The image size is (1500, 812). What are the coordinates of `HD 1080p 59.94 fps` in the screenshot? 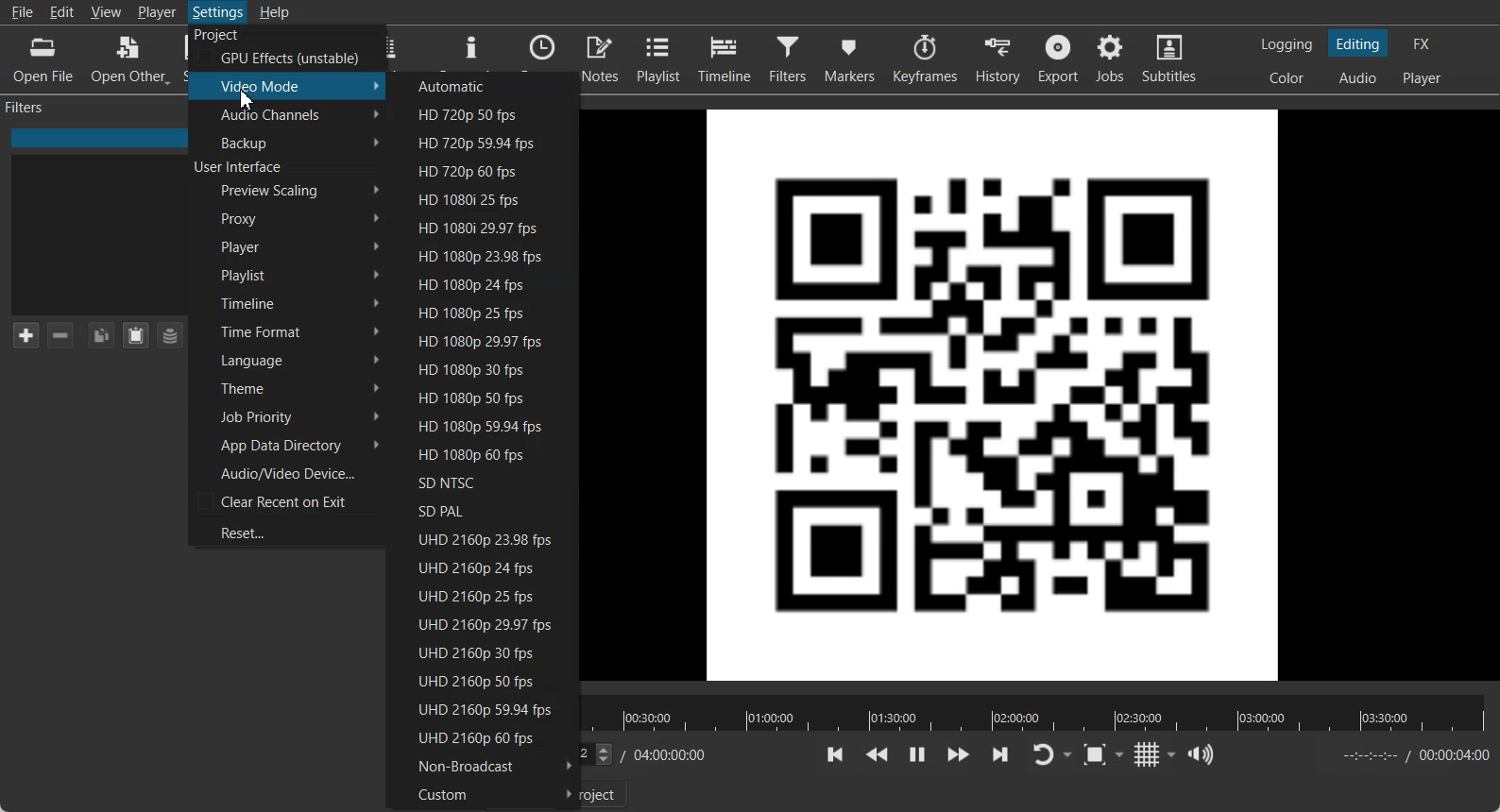 It's located at (473, 425).